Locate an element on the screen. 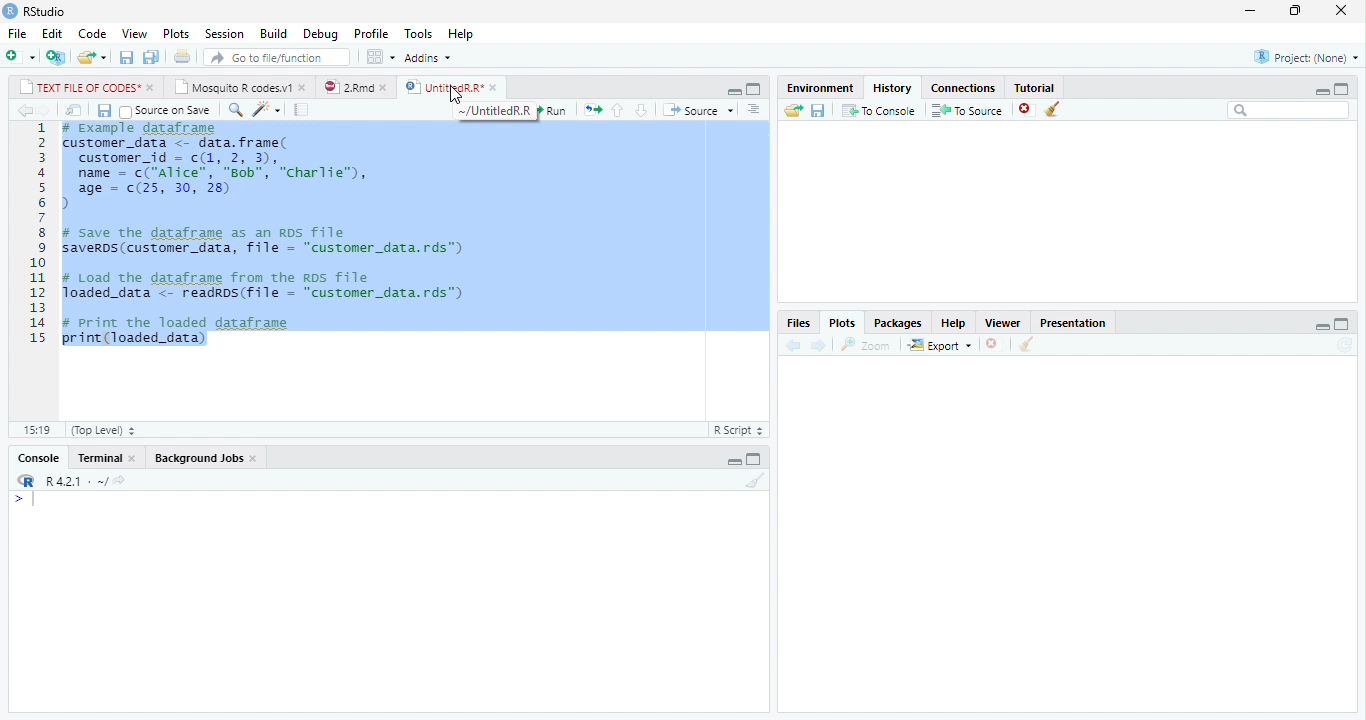 Image resolution: width=1366 pixels, height=720 pixels. minimize is located at coordinates (734, 92).